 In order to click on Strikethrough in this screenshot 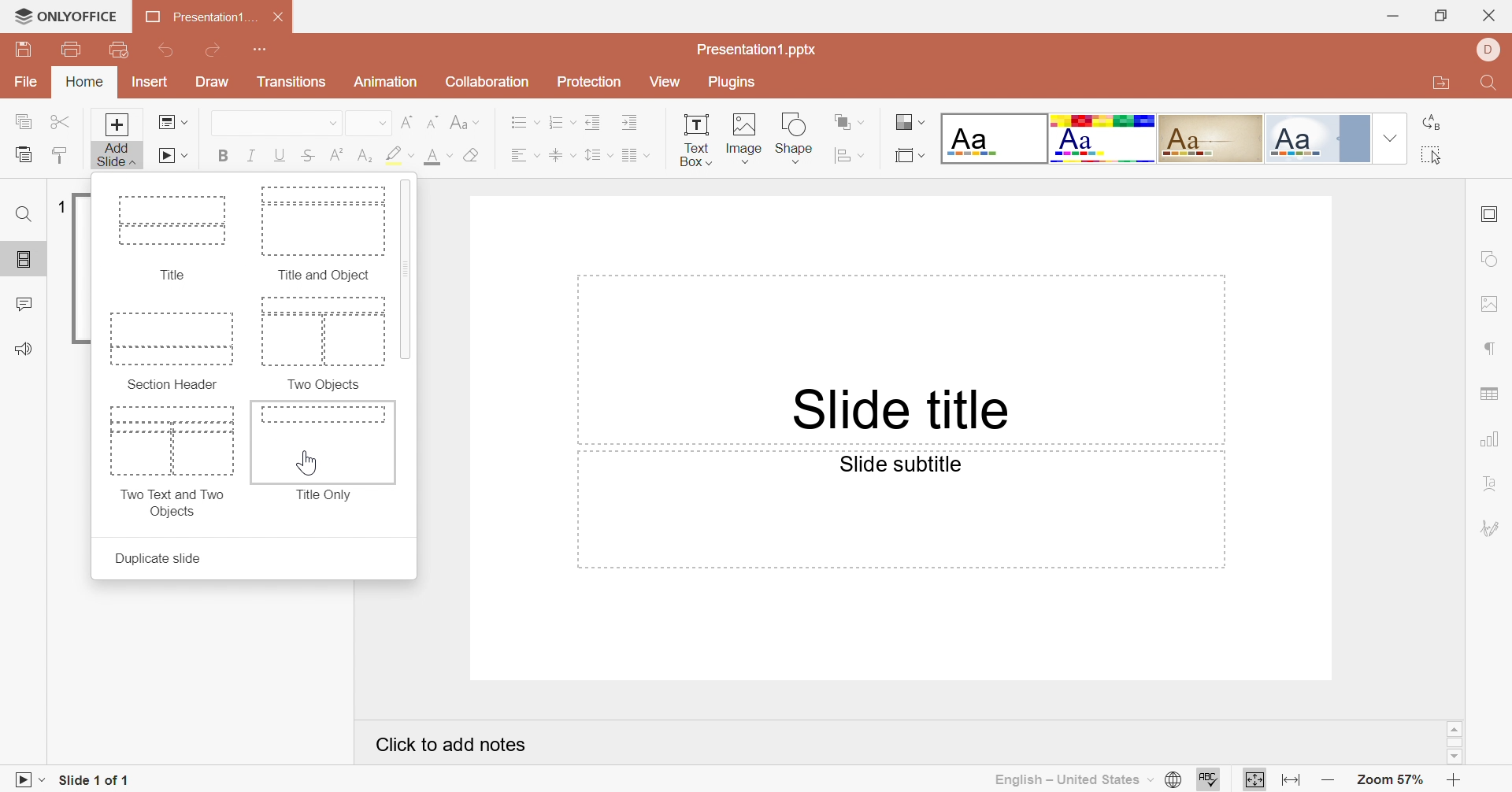, I will do `click(306, 156)`.